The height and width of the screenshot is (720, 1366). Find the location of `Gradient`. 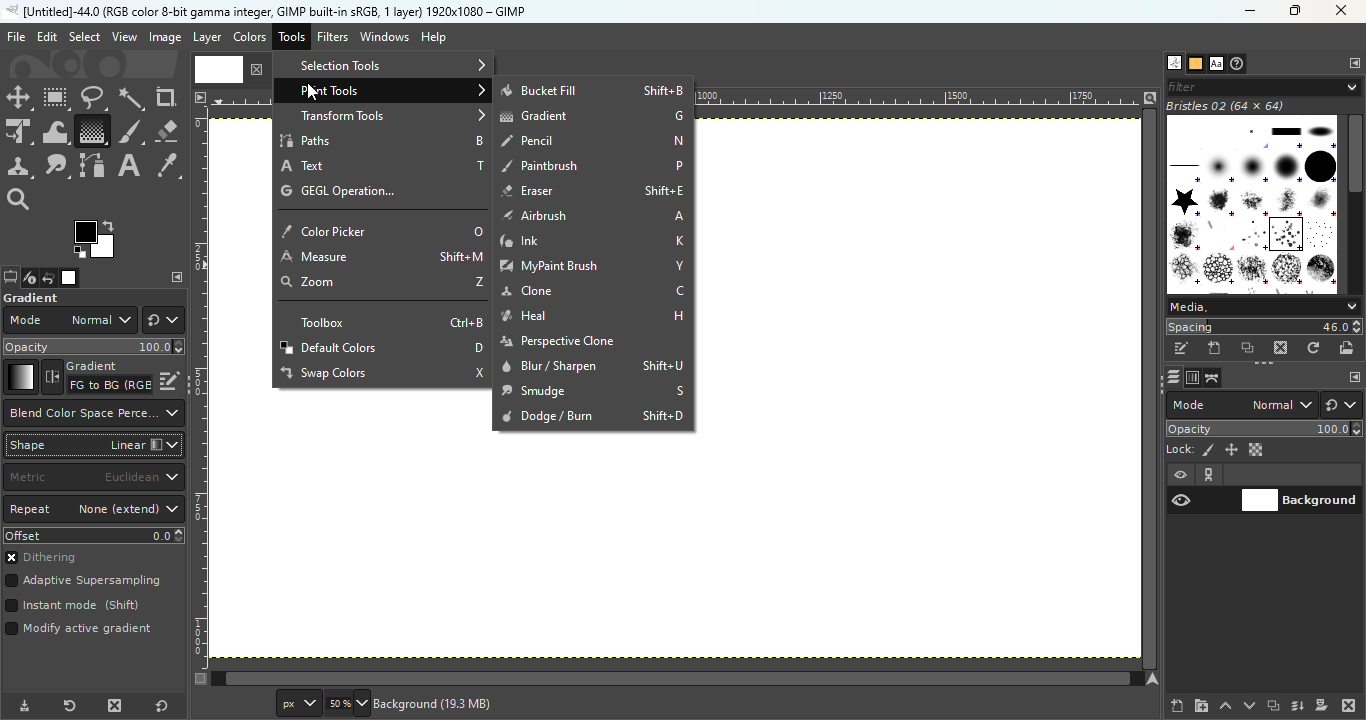

Gradient is located at coordinates (592, 116).